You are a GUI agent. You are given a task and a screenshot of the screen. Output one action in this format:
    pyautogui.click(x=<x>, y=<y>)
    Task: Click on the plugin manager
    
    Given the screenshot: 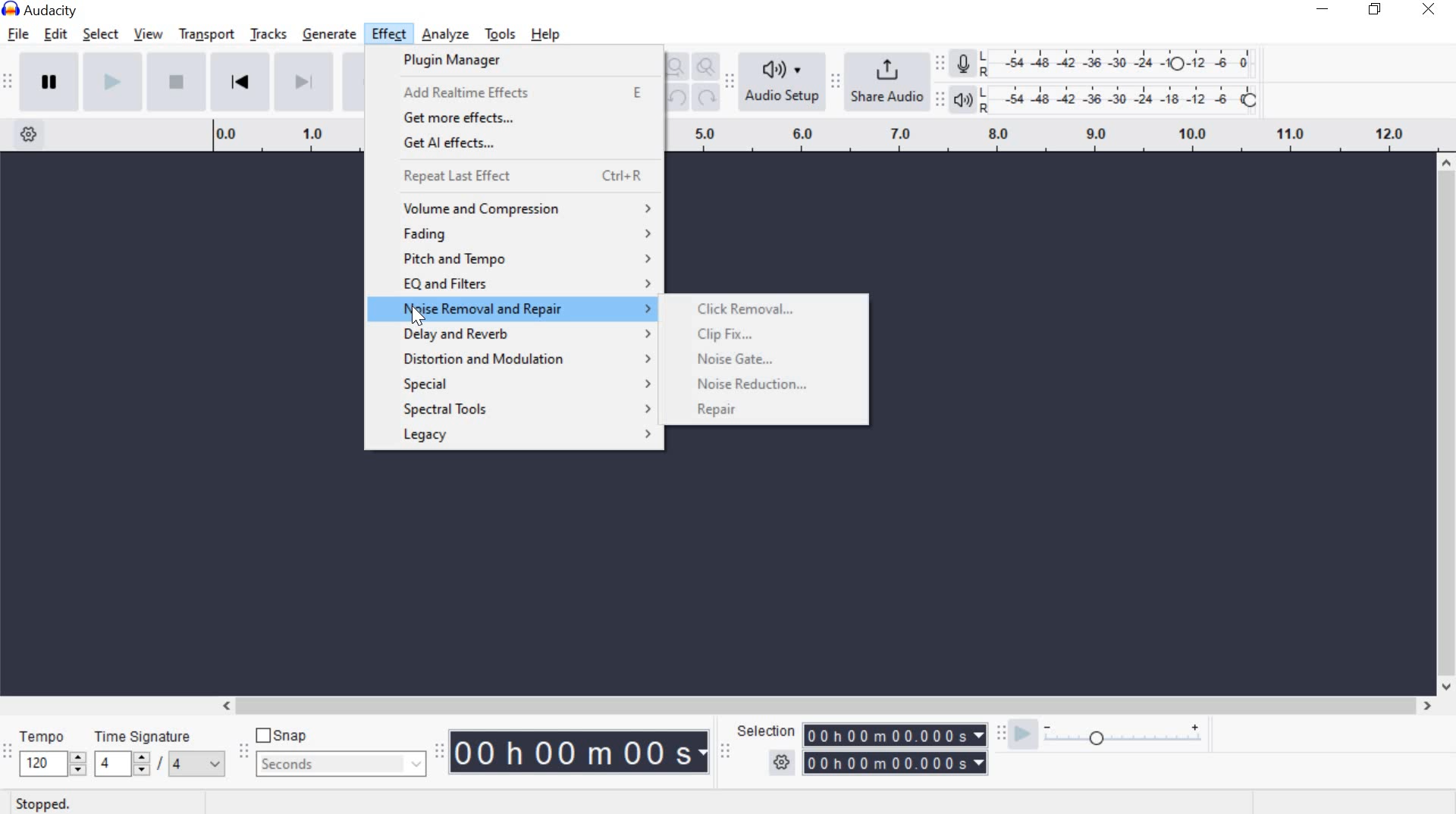 What is the action you would take?
    pyautogui.click(x=449, y=61)
    